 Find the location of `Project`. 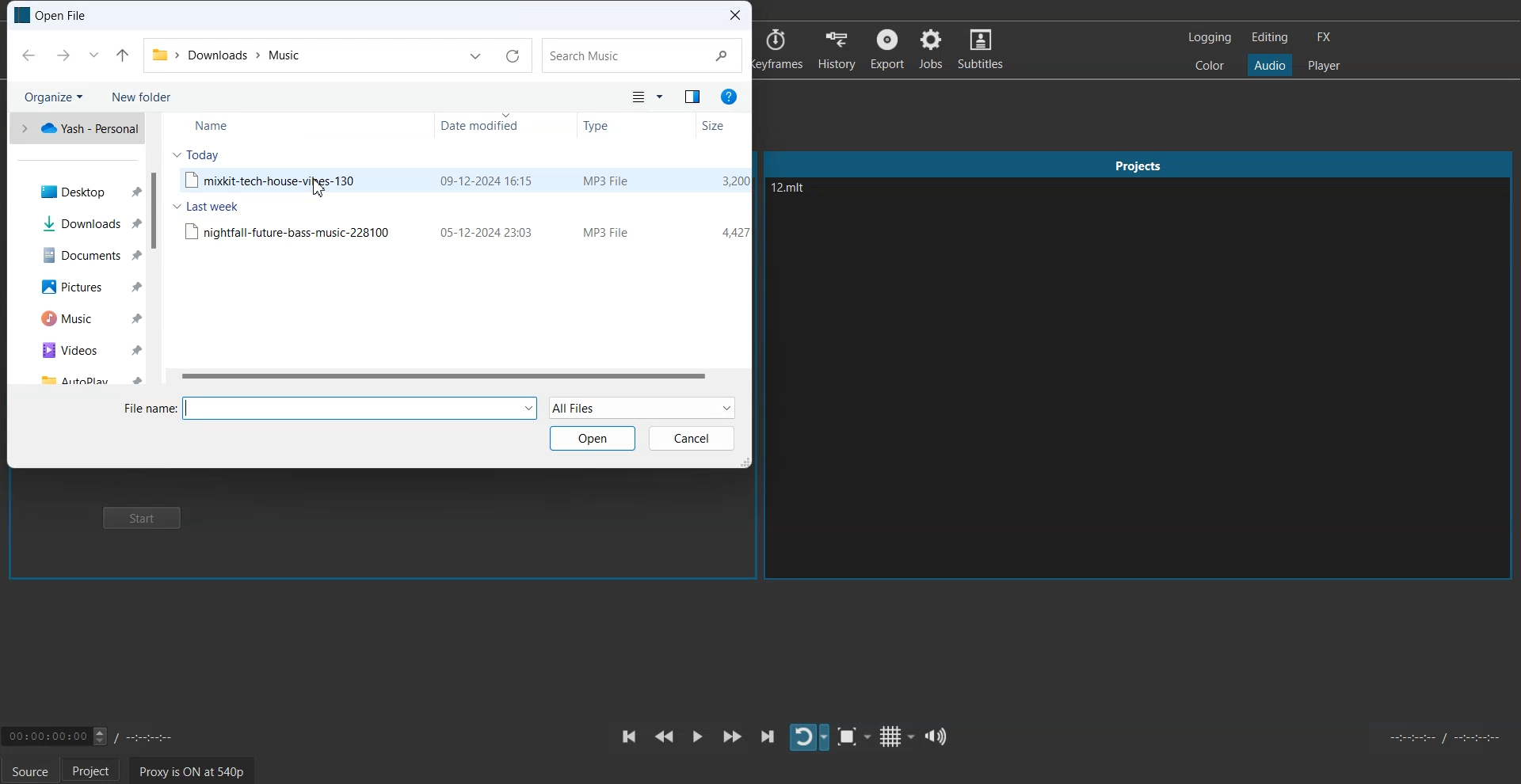

Project is located at coordinates (96, 771).